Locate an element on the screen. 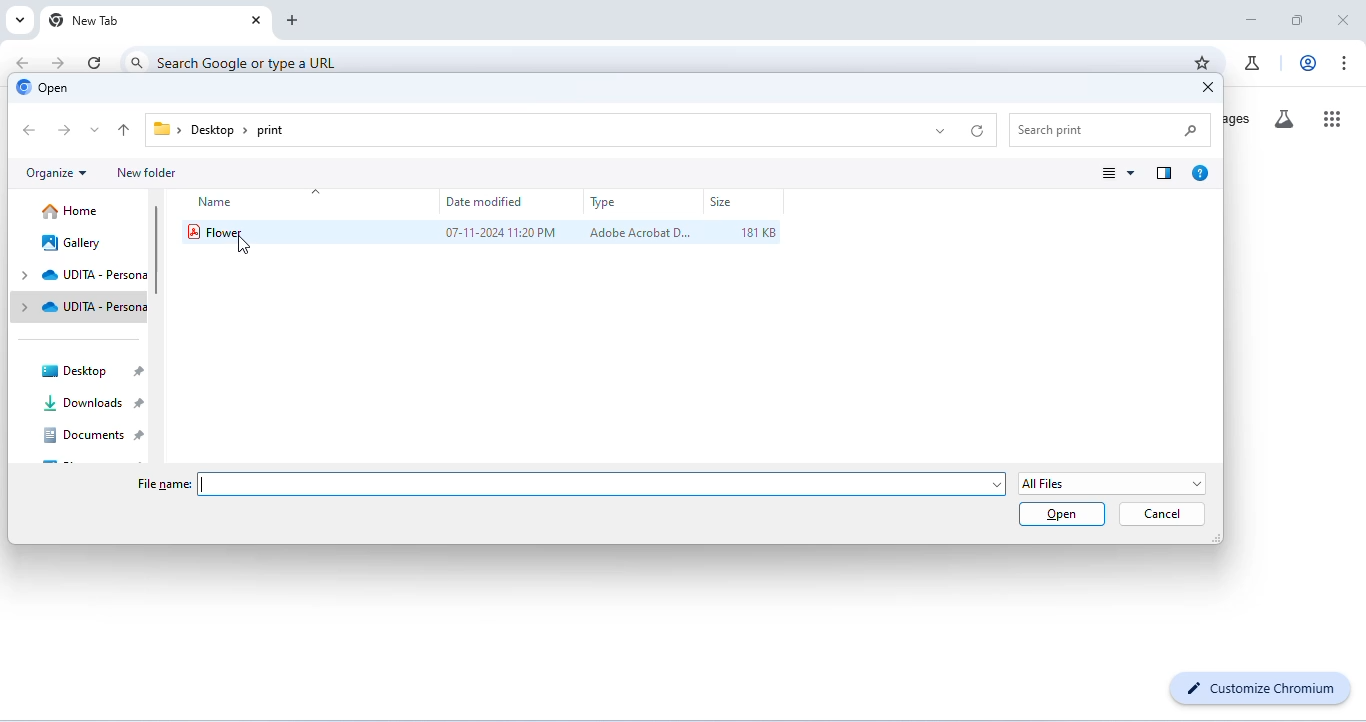  cancel is located at coordinates (1161, 515).